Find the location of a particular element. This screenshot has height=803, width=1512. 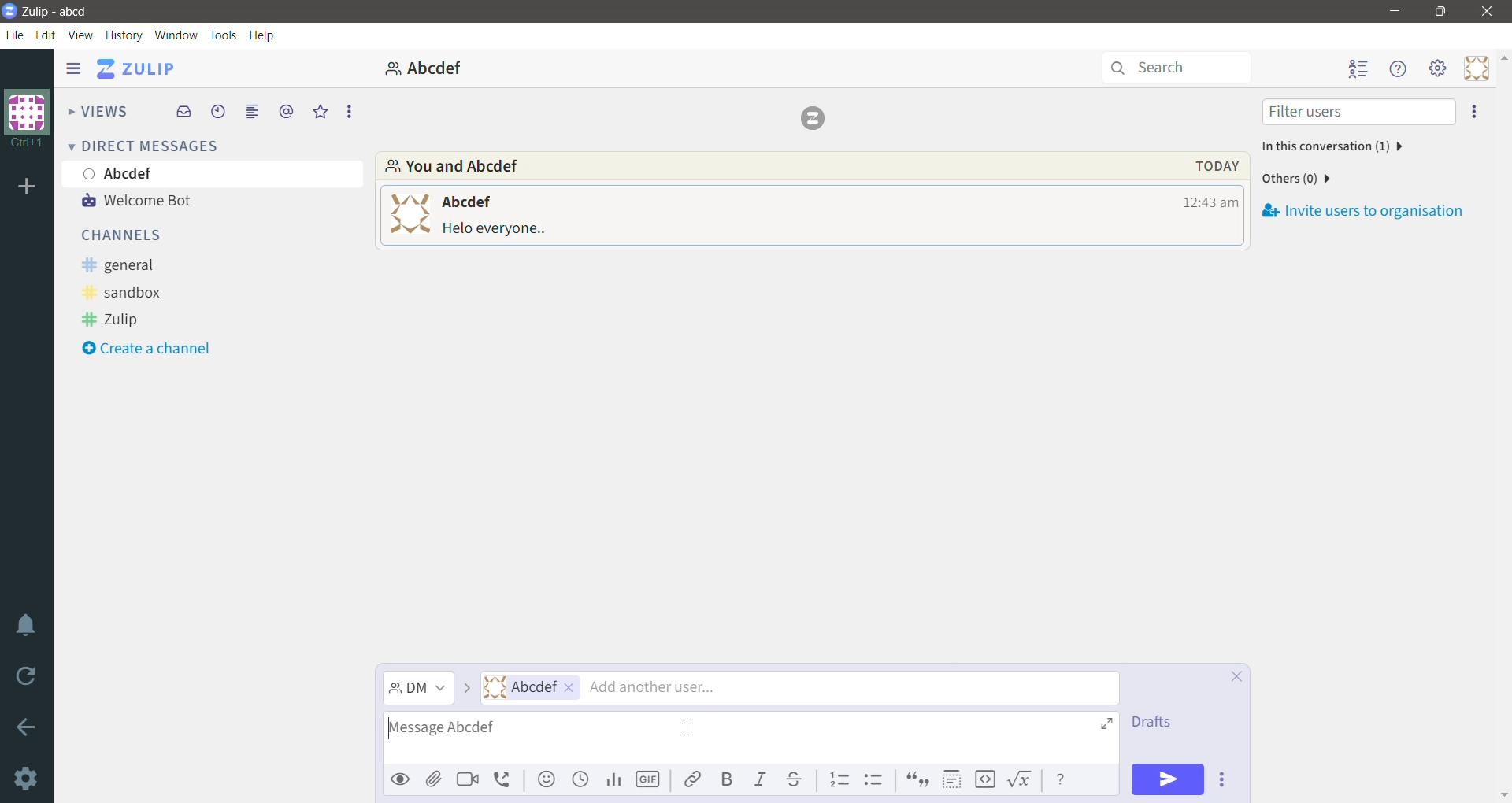

Combined feed is located at coordinates (252, 112).